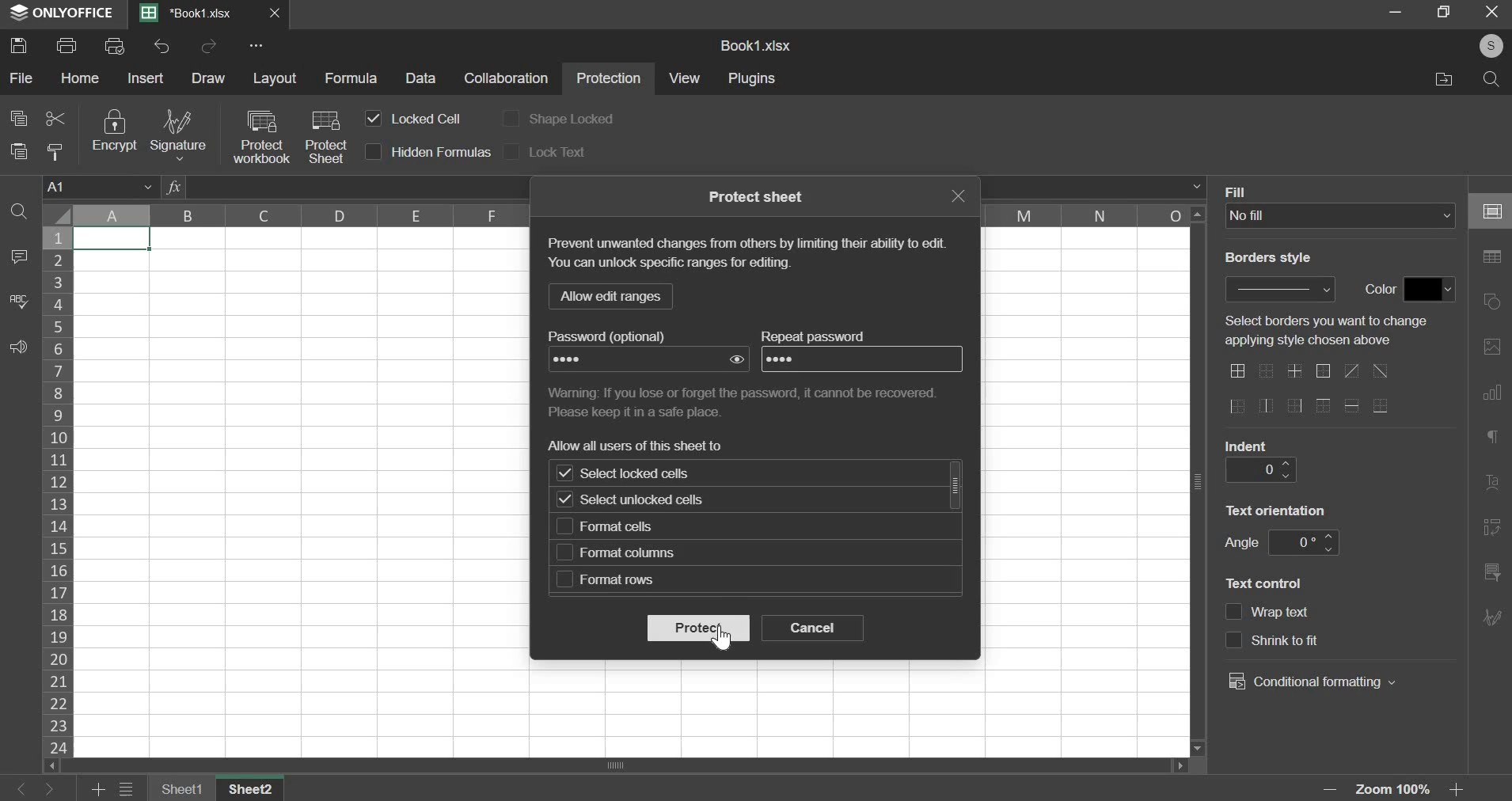 This screenshot has height=801, width=1512. I want to click on color, so click(1377, 290).